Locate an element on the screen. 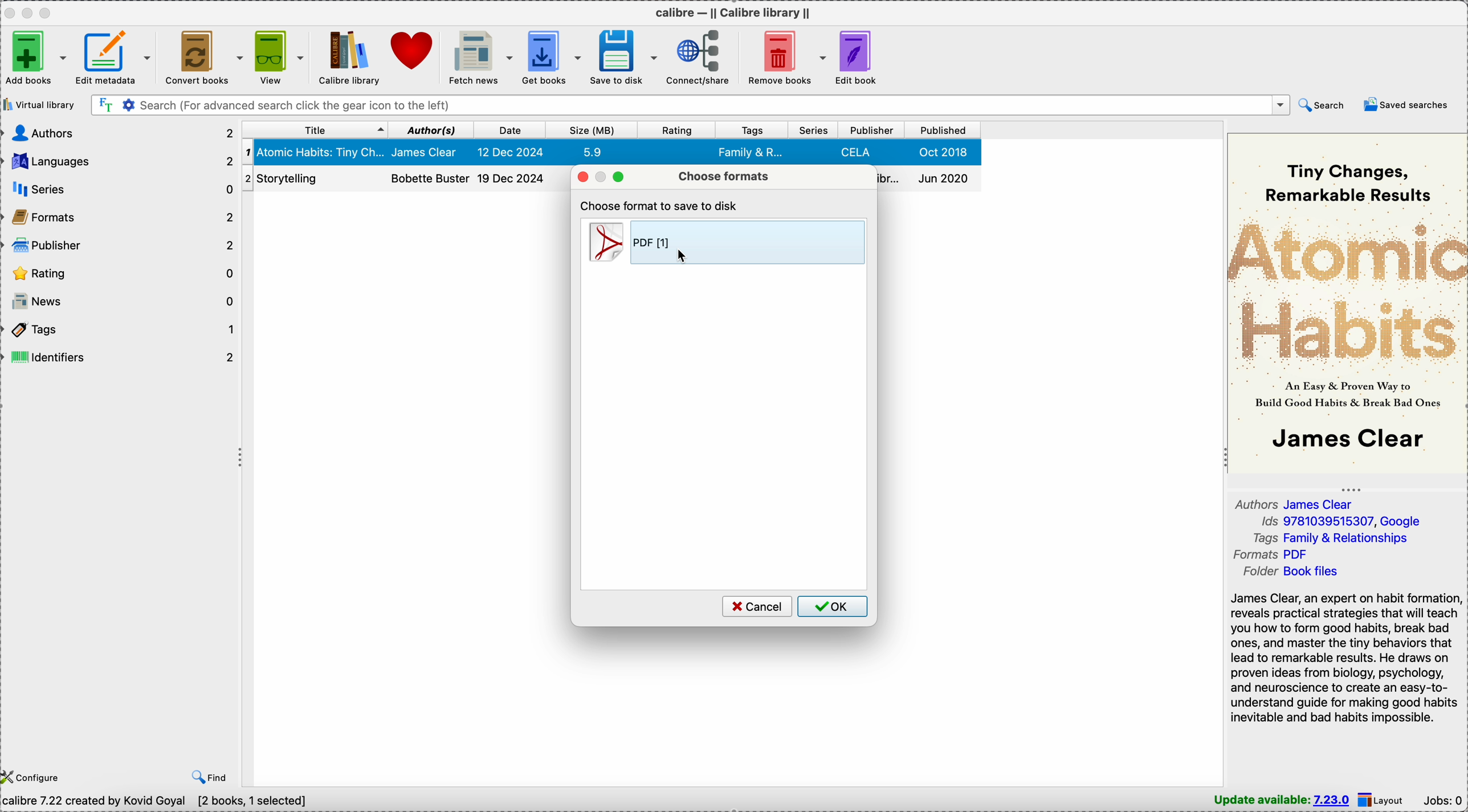 The width and height of the screenshot is (1468, 812). Calibre - || Calibre library || is located at coordinates (737, 12).